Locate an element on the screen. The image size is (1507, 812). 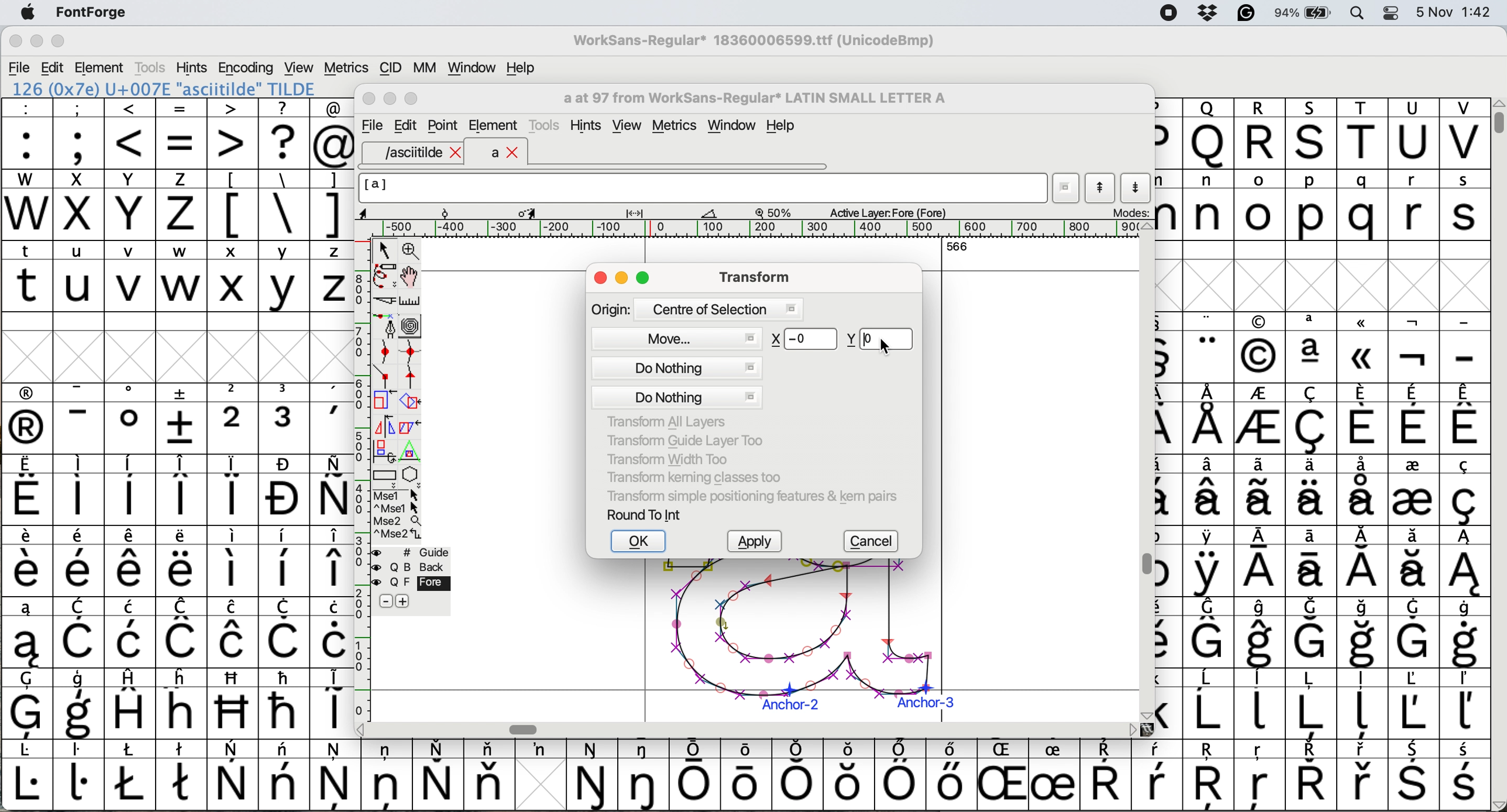
scroll button is located at coordinates (1147, 227).